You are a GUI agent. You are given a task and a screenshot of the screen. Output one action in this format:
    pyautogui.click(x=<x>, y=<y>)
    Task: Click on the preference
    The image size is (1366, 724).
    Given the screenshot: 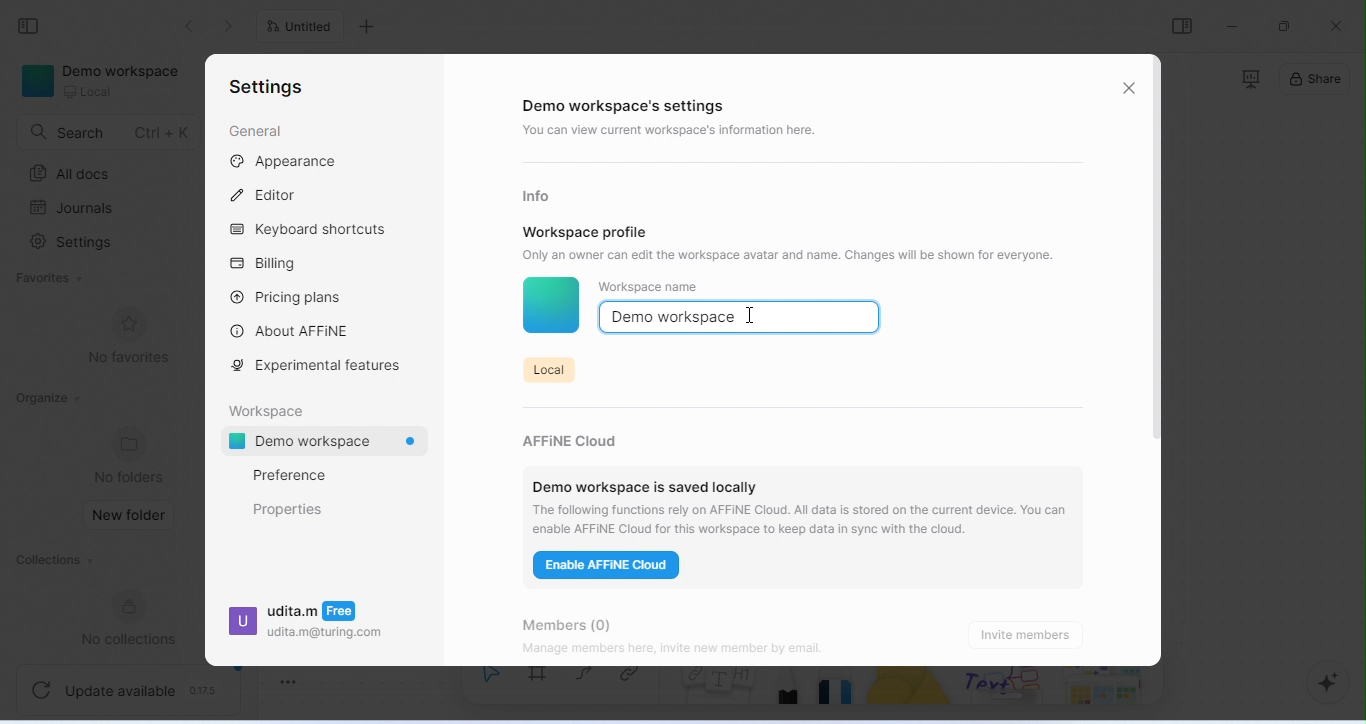 What is the action you would take?
    pyautogui.click(x=289, y=475)
    